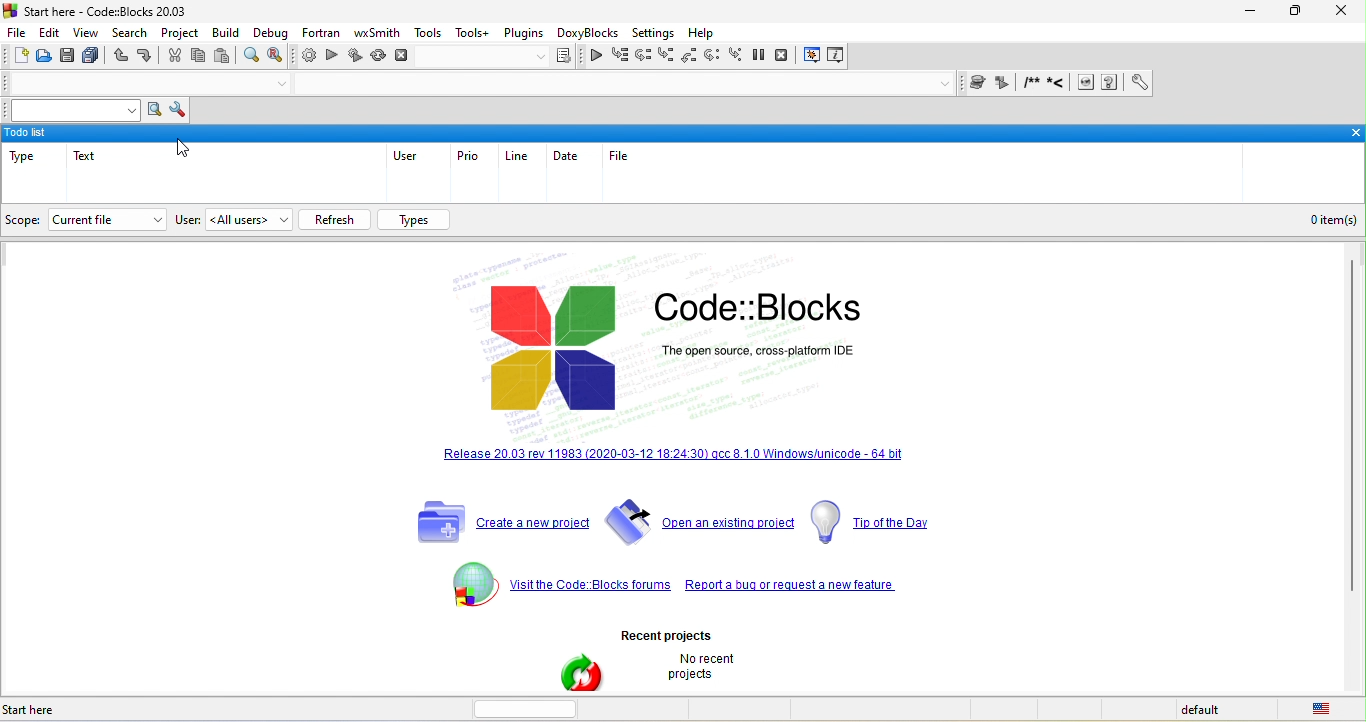 The image size is (1366, 722). What do you see at coordinates (186, 219) in the screenshot?
I see `users ` at bounding box center [186, 219].